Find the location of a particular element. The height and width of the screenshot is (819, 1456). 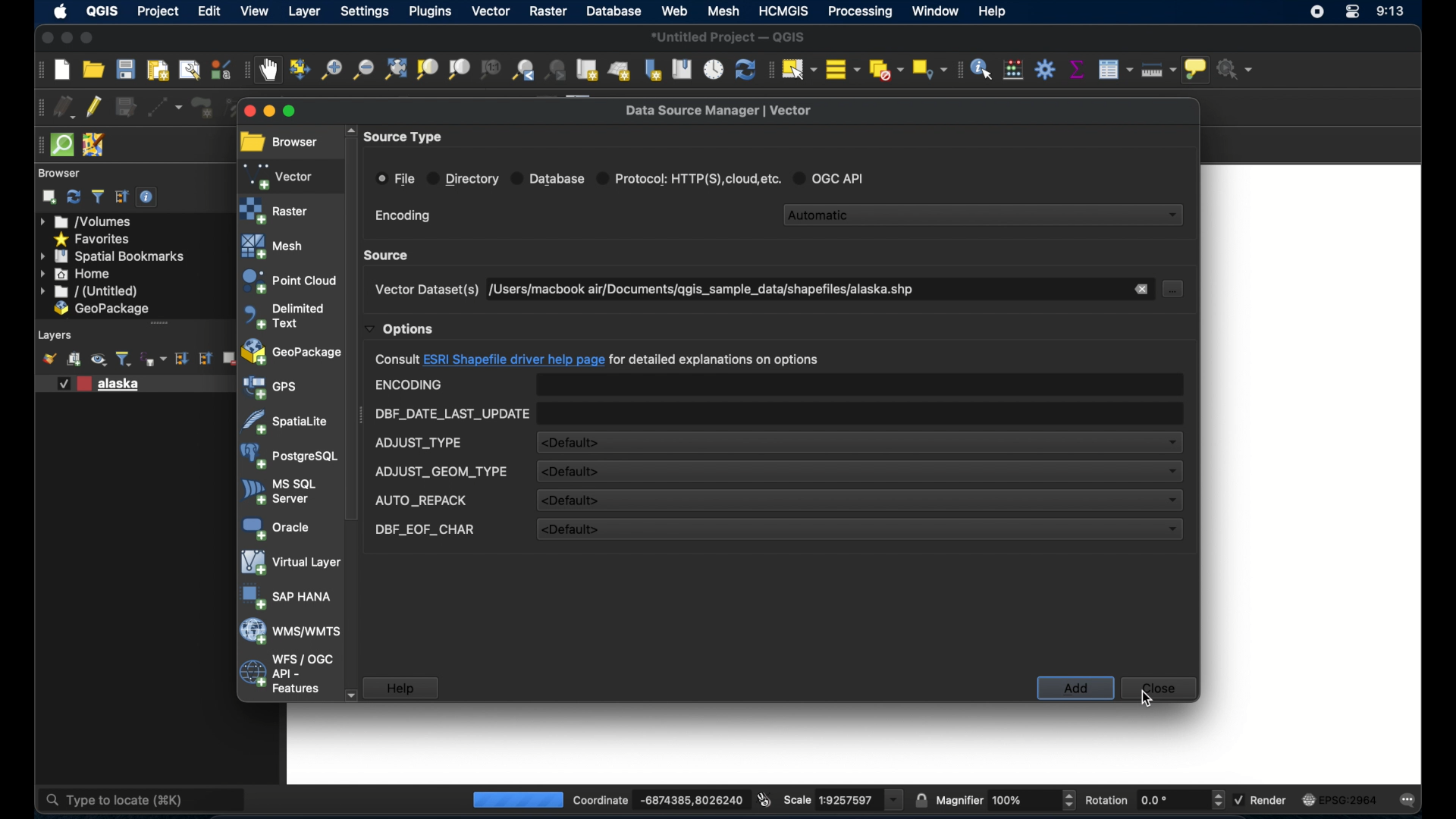

collapse all is located at coordinates (122, 197).